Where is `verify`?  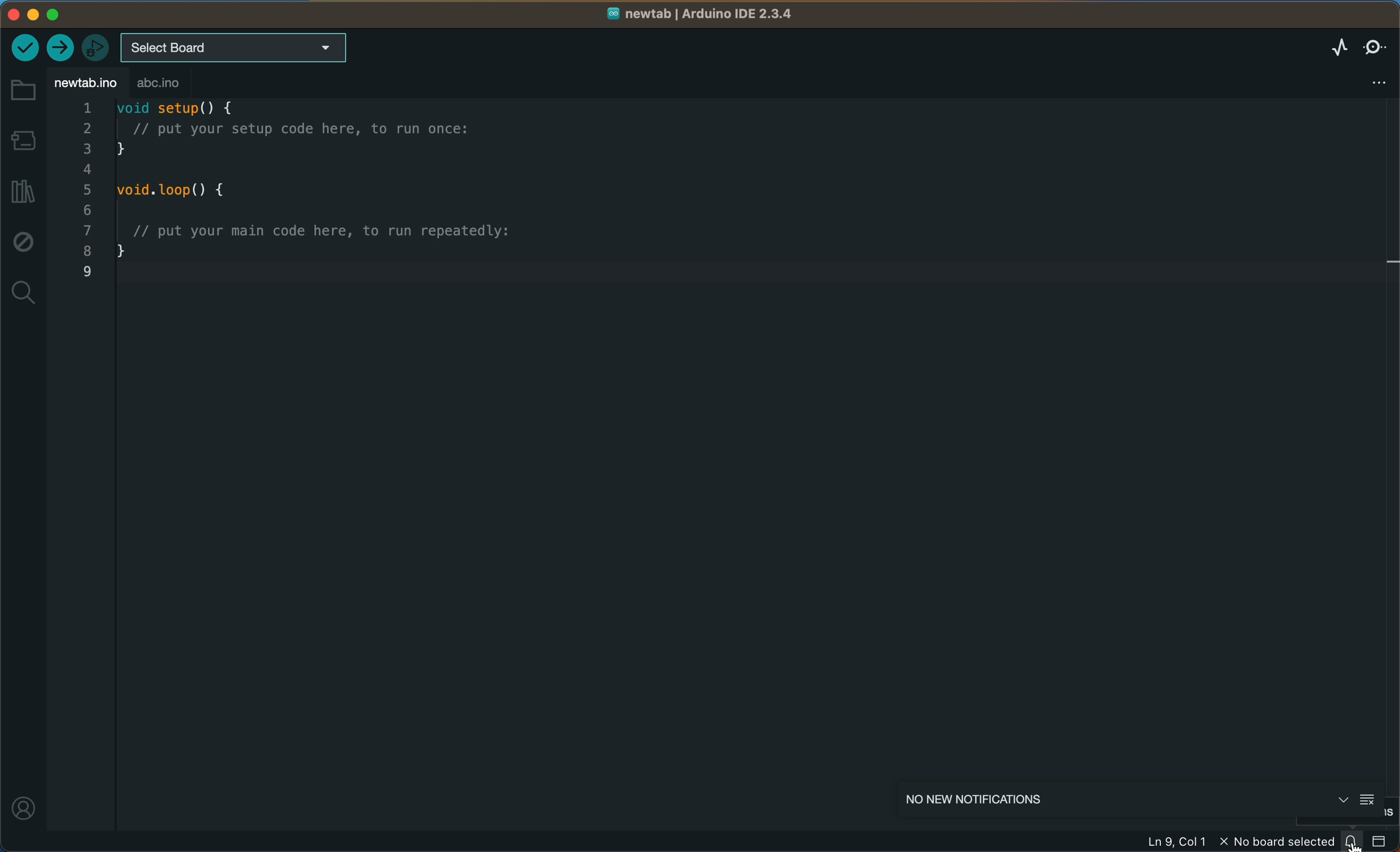
verify is located at coordinates (23, 47).